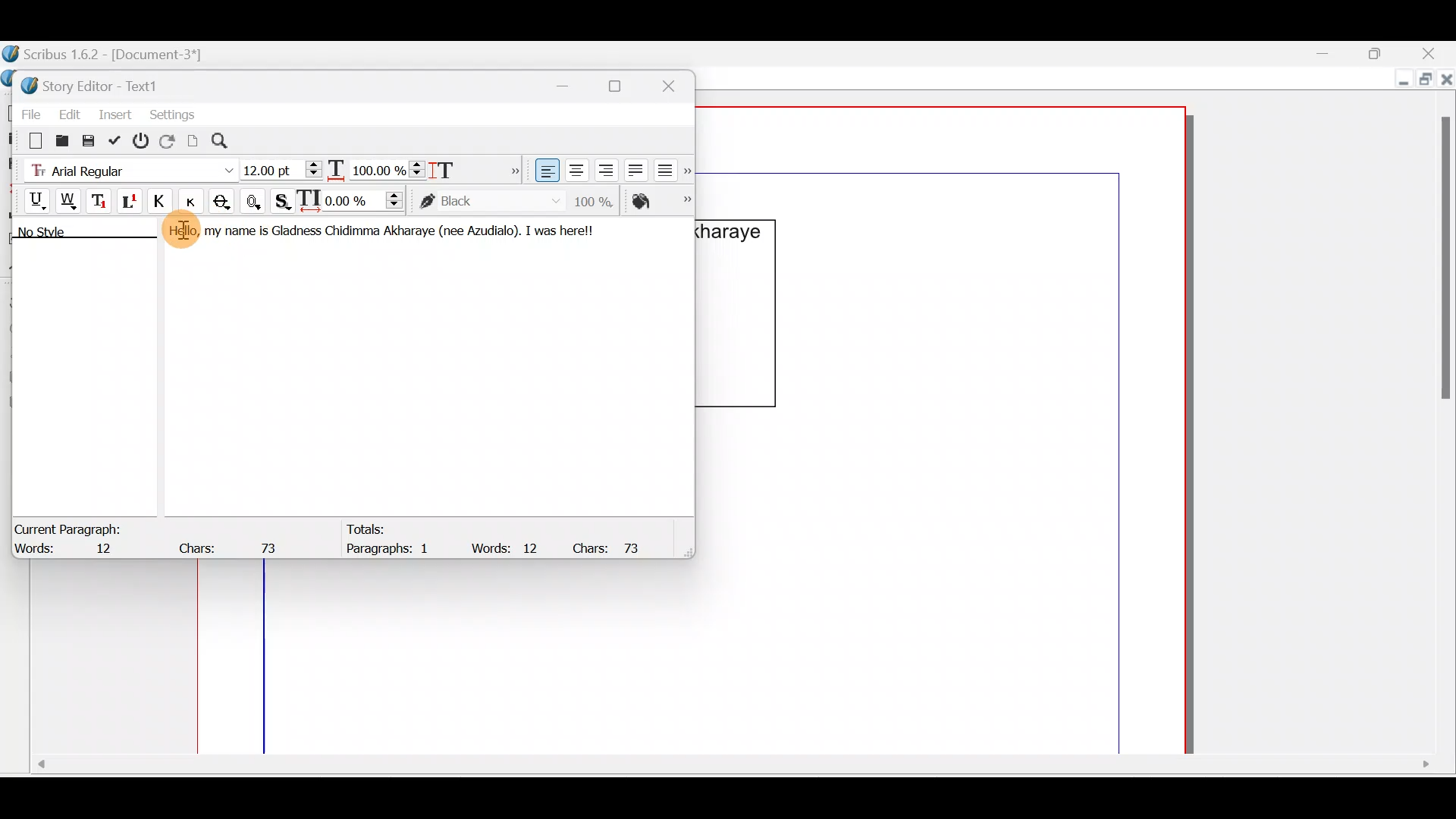 This screenshot has height=819, width=1456. Describe the element at coordinates (163, 203) in the screenshot. I see `All caps` at that location.